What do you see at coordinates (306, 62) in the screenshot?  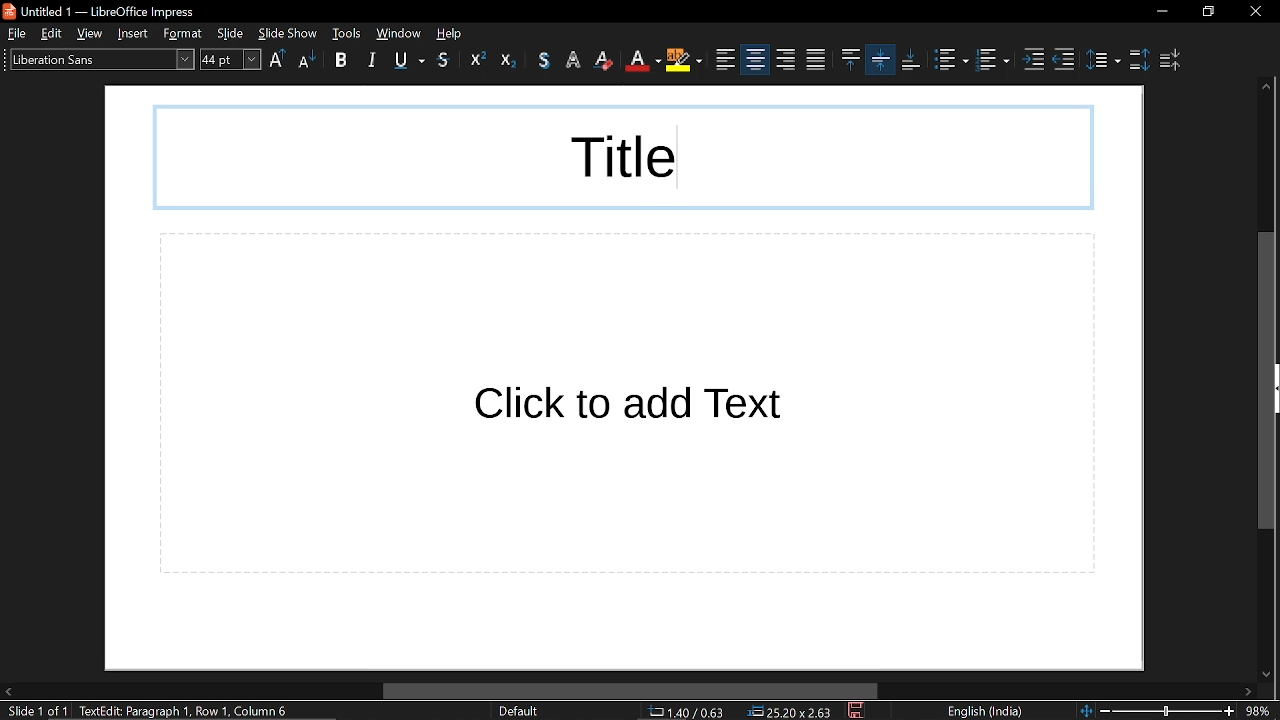 I see `lowercase` at bounding box center [306, 62].